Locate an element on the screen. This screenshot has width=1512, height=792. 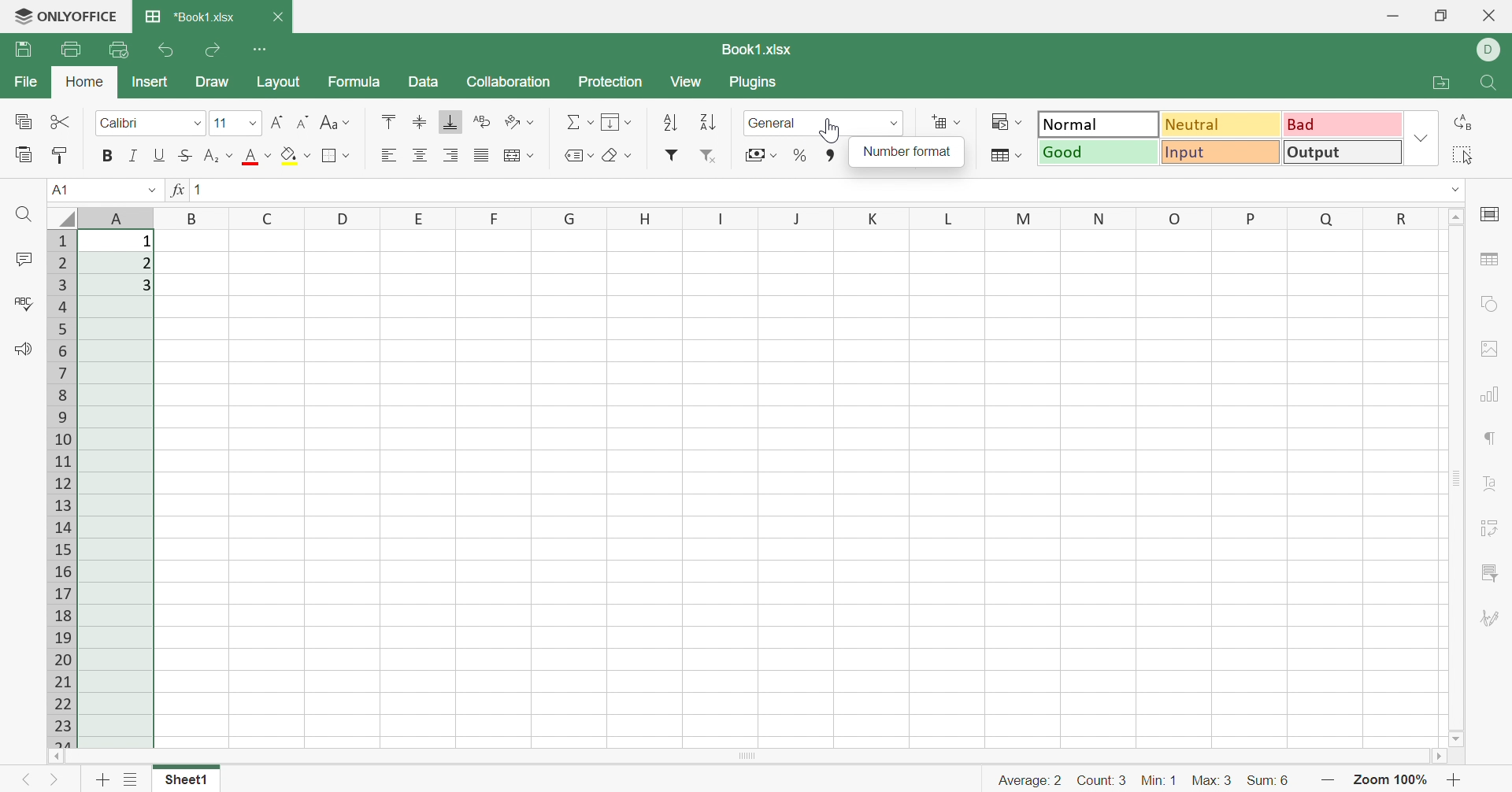
Named ranges is located at coordinates (577, 156).